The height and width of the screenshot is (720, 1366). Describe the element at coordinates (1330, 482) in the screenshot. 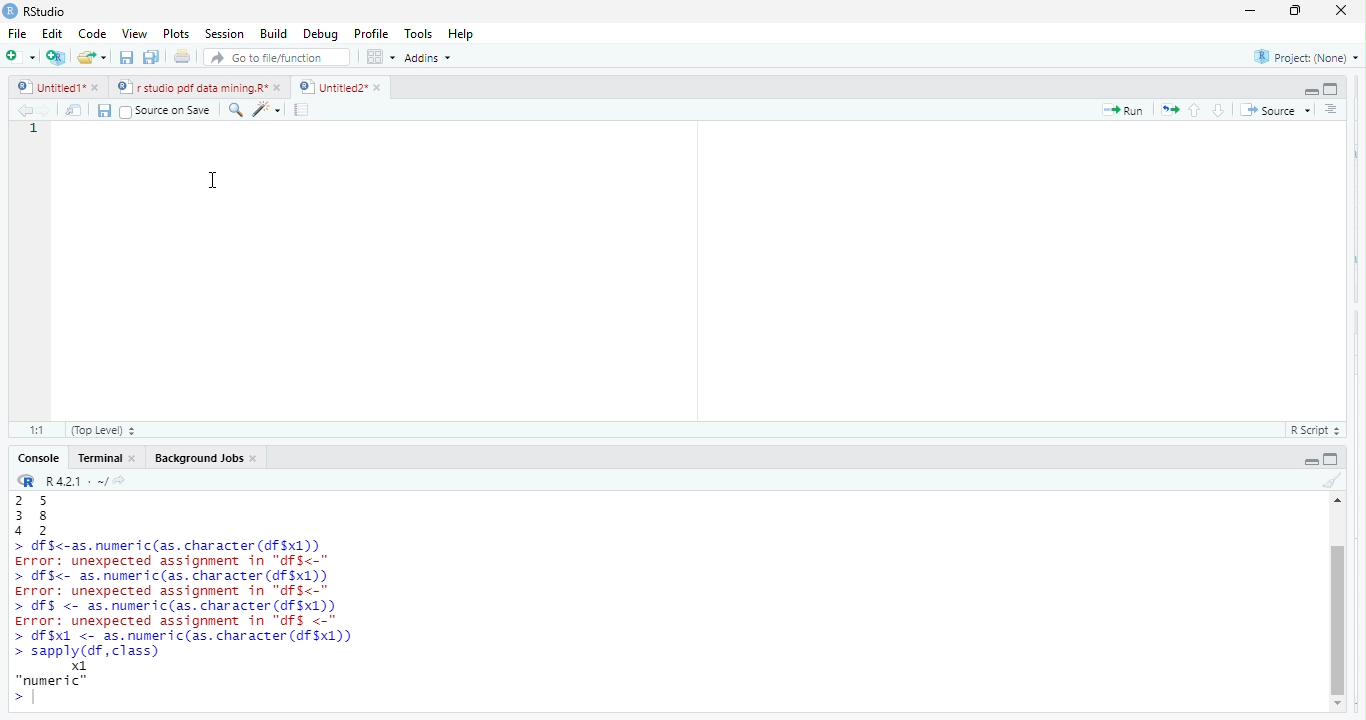

I see `clear console` at that location.